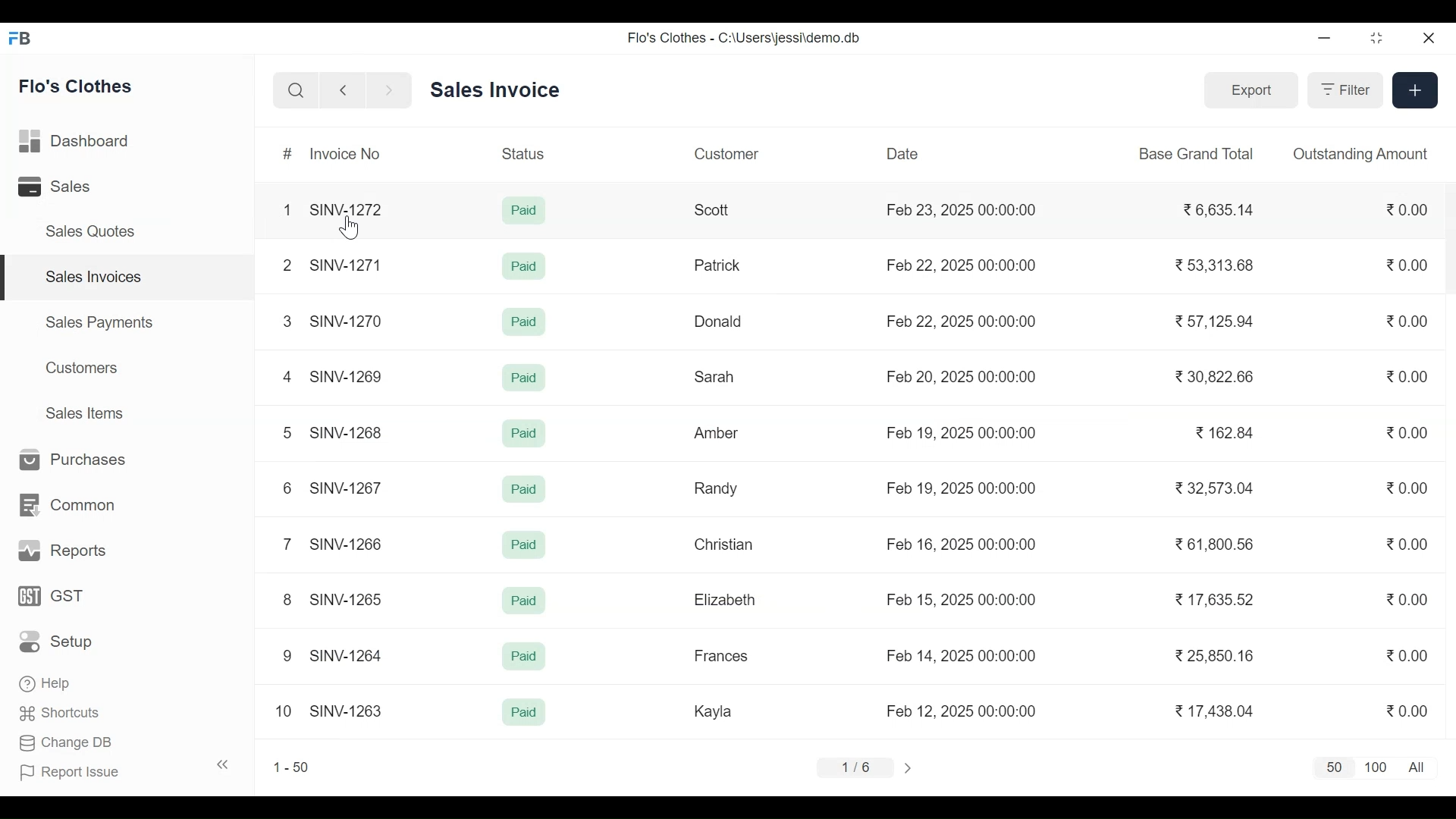  I want to click on Status, so click(526, 153).